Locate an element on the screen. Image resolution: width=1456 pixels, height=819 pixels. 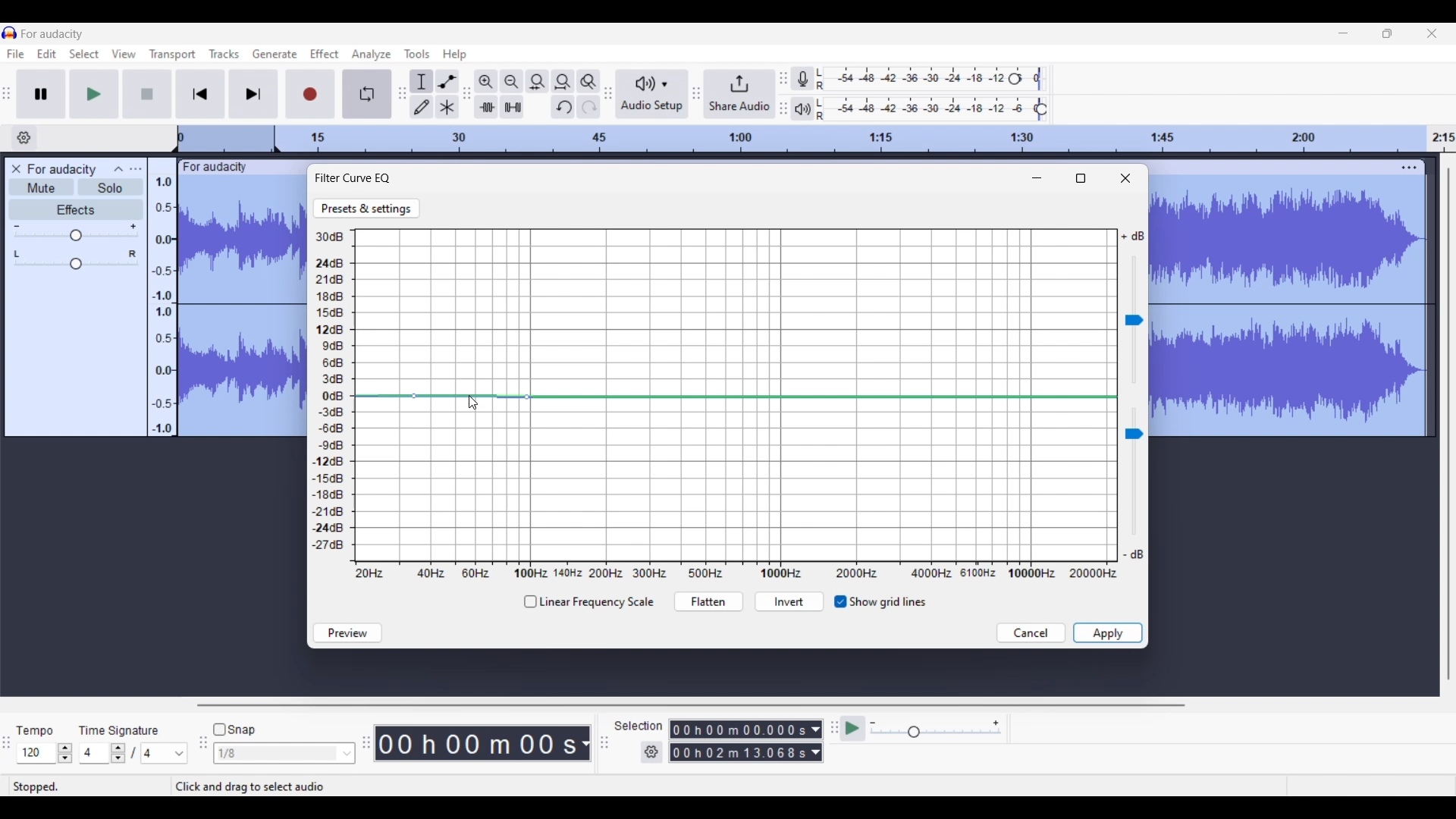
Audio track name is located at coordinates (62, 170).